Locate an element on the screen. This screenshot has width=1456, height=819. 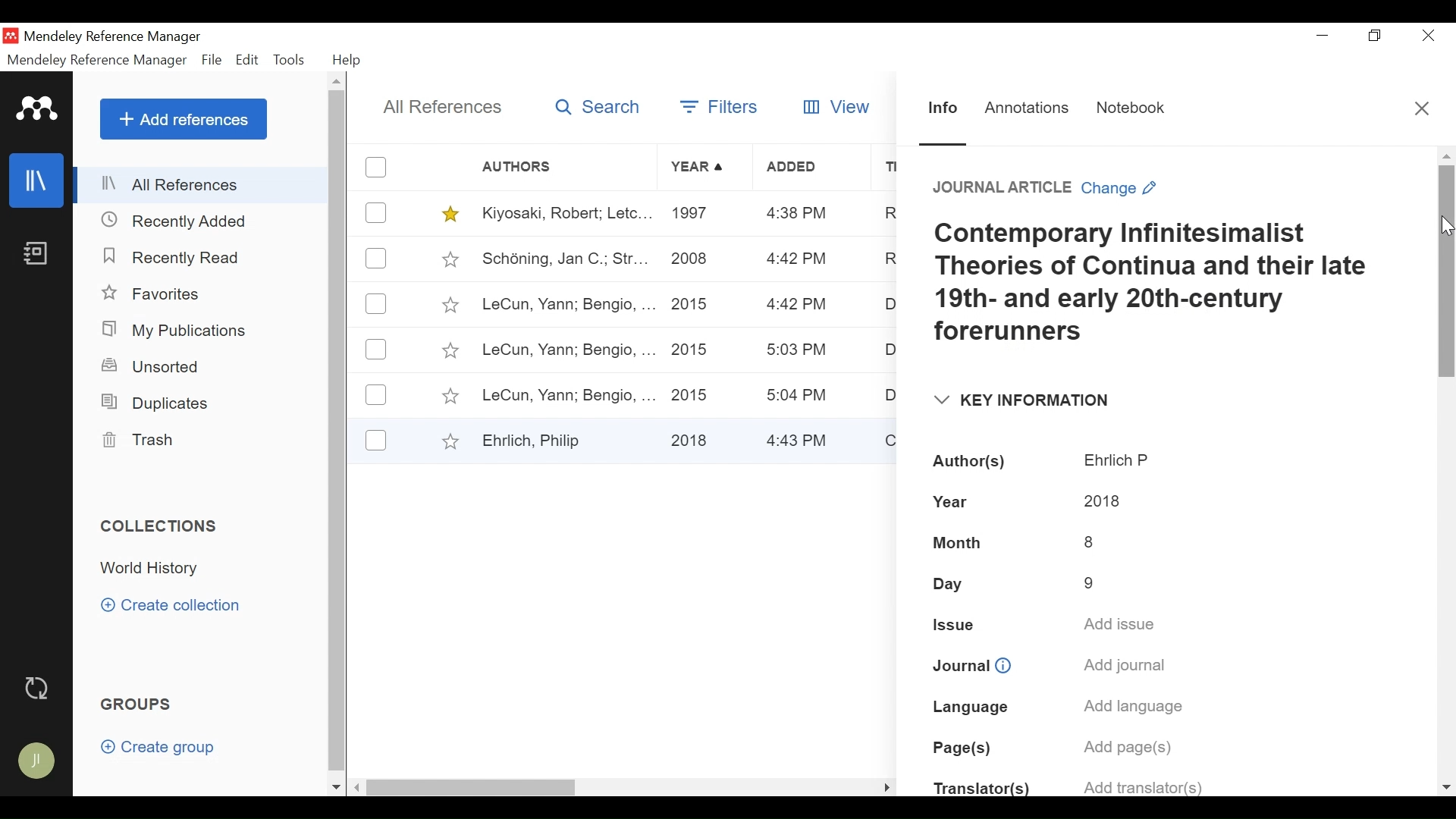
LeCun, Yann; Bengio, ... is located at coordinates (567, 394).